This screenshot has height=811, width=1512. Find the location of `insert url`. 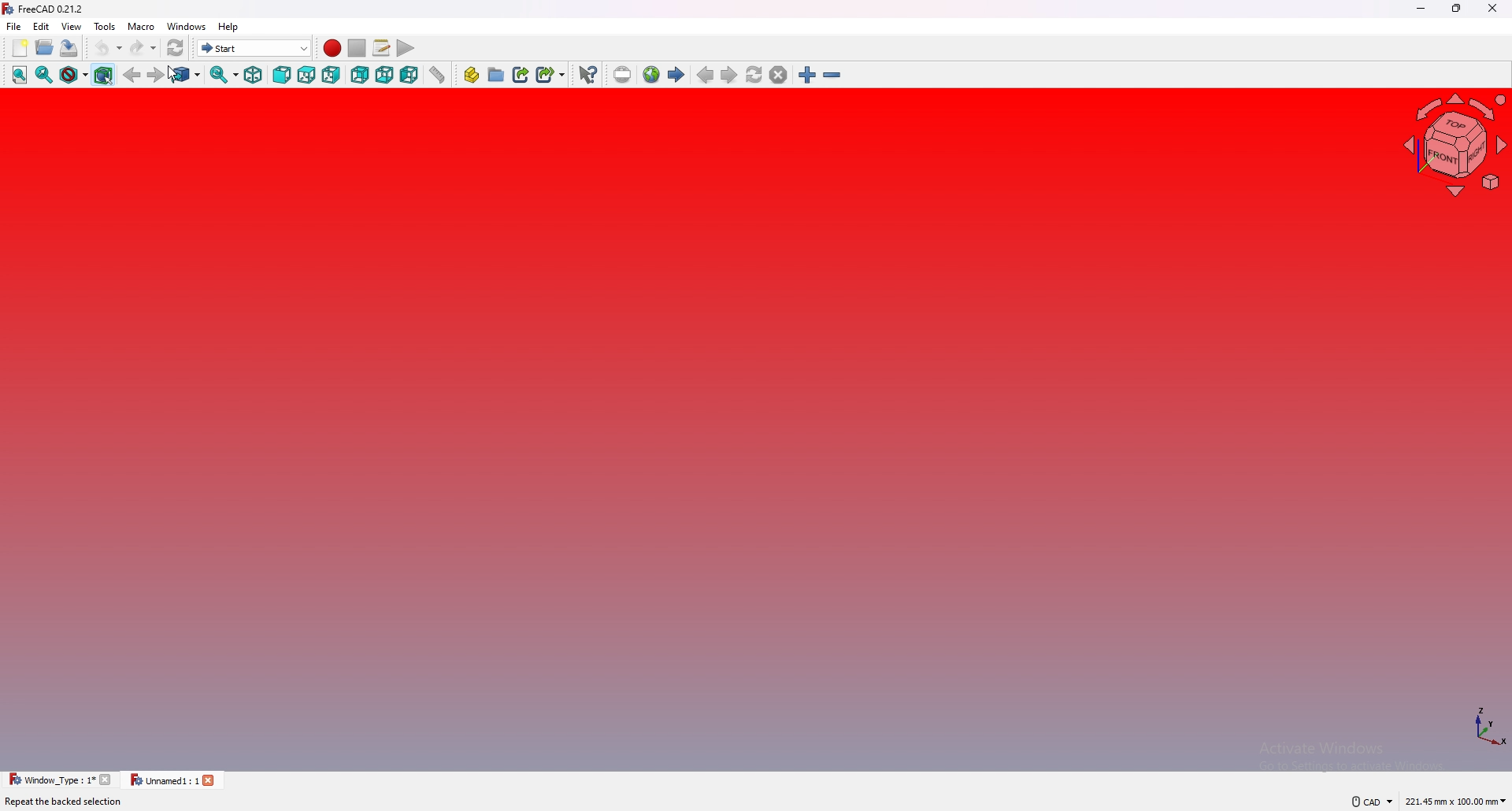

insert url is located at coordinates (622, 74).